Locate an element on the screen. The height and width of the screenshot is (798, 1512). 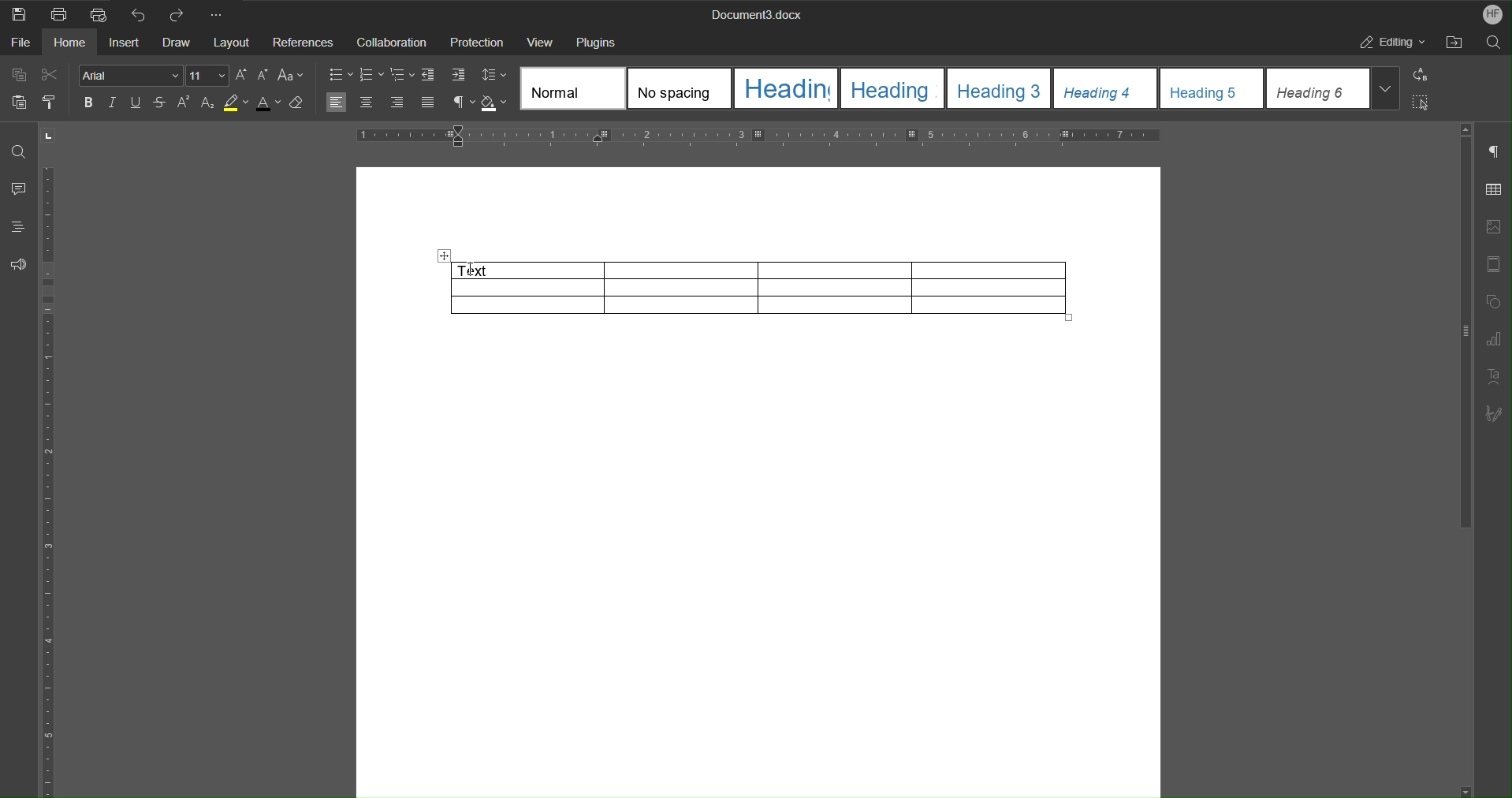
Replace is located at coordinates (1424, 76).